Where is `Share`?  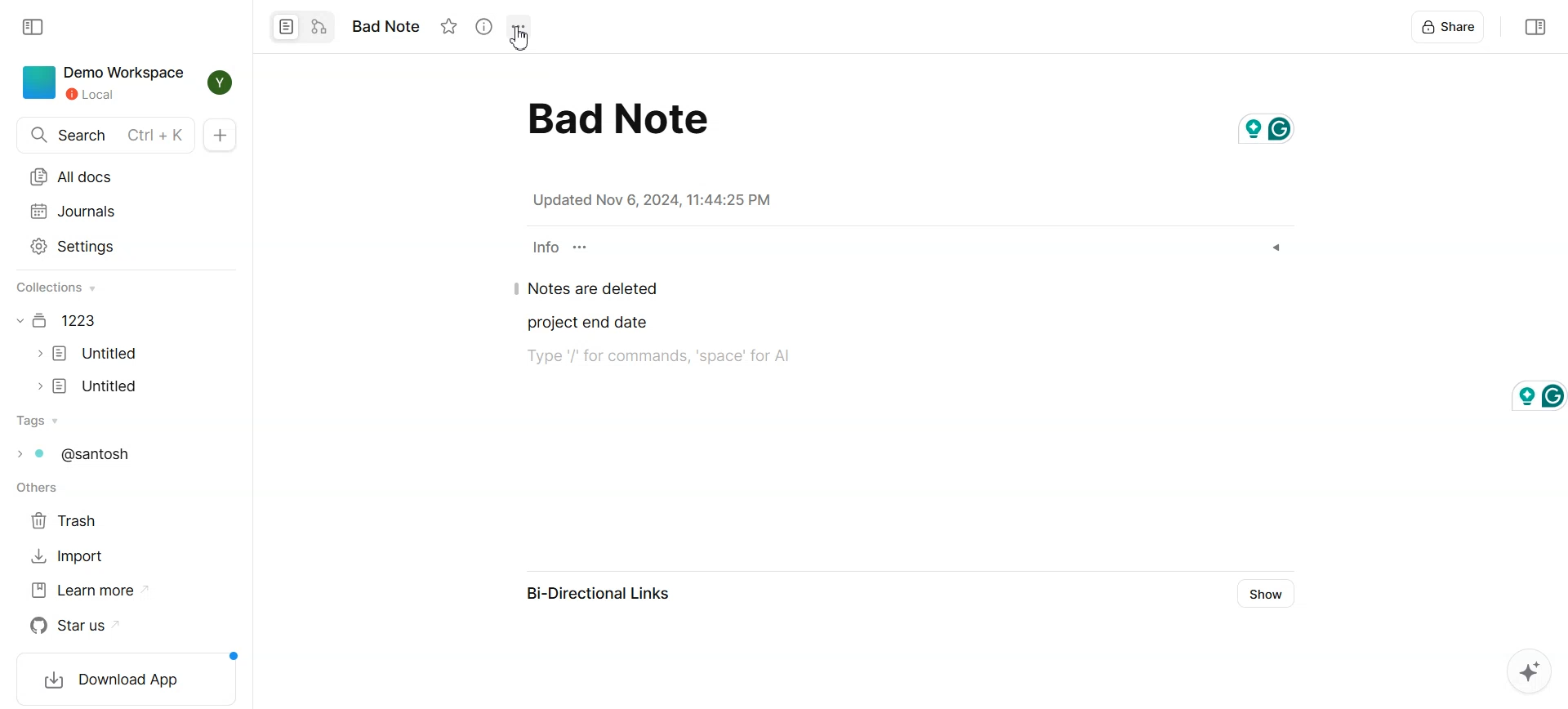 Share is located at coordinates (1450, 29).